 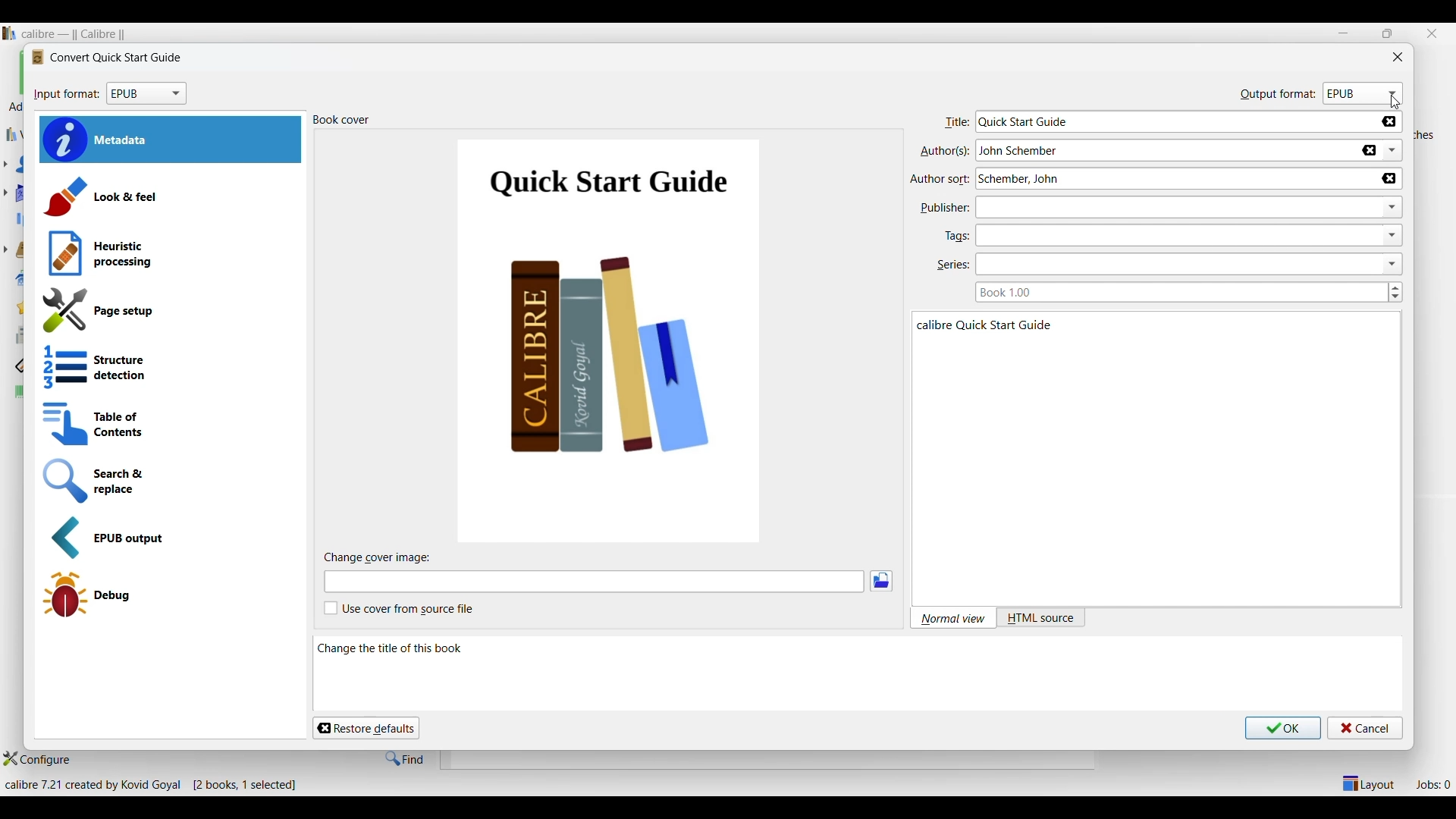 What do you see at coordinates (344, 121) in the screenshot?
I see `book cover` at bounding box center [344, 121].